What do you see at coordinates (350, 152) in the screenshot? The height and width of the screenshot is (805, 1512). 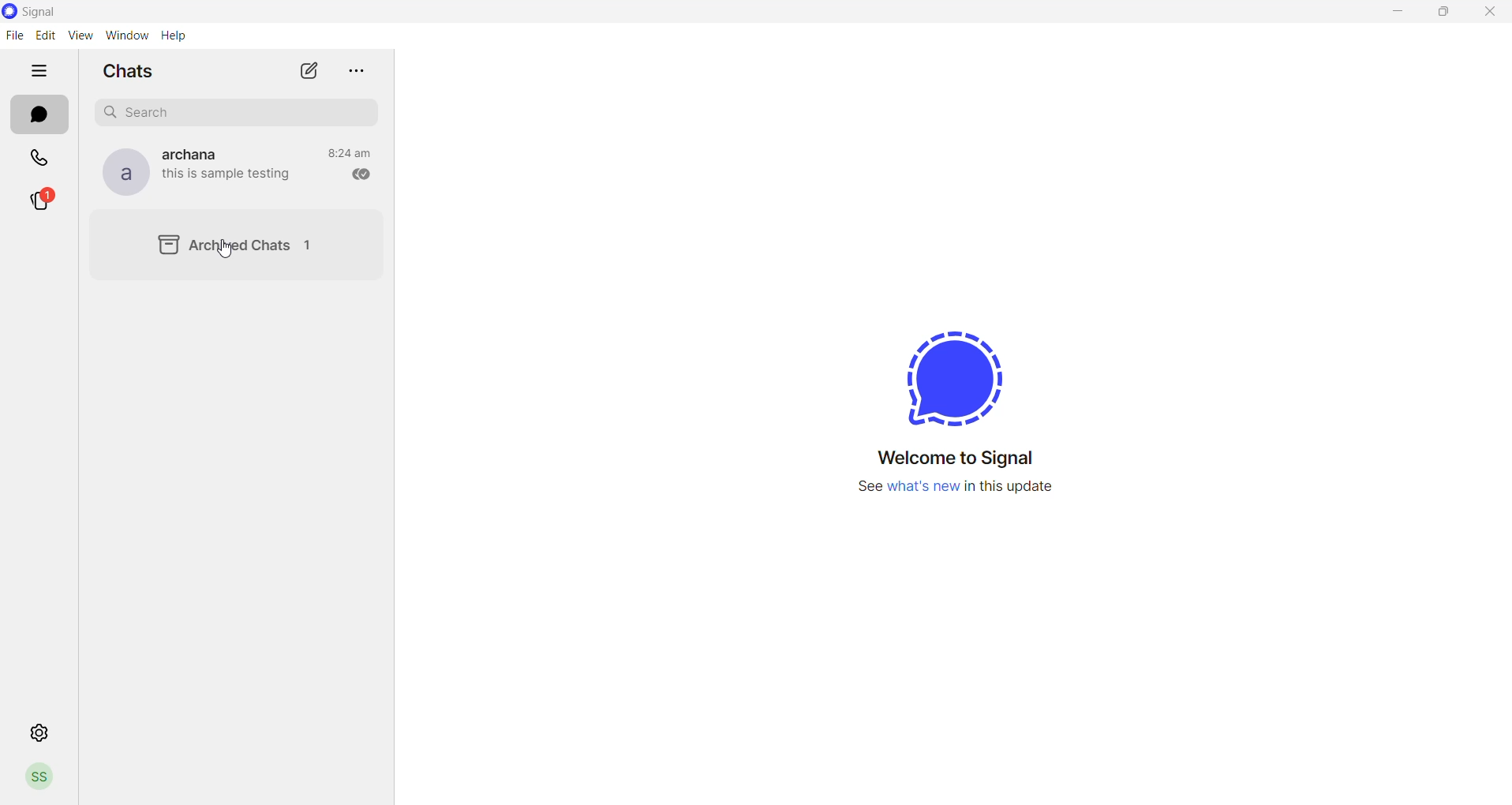 I see `last message timeframe` at bounding box center [350, 152].